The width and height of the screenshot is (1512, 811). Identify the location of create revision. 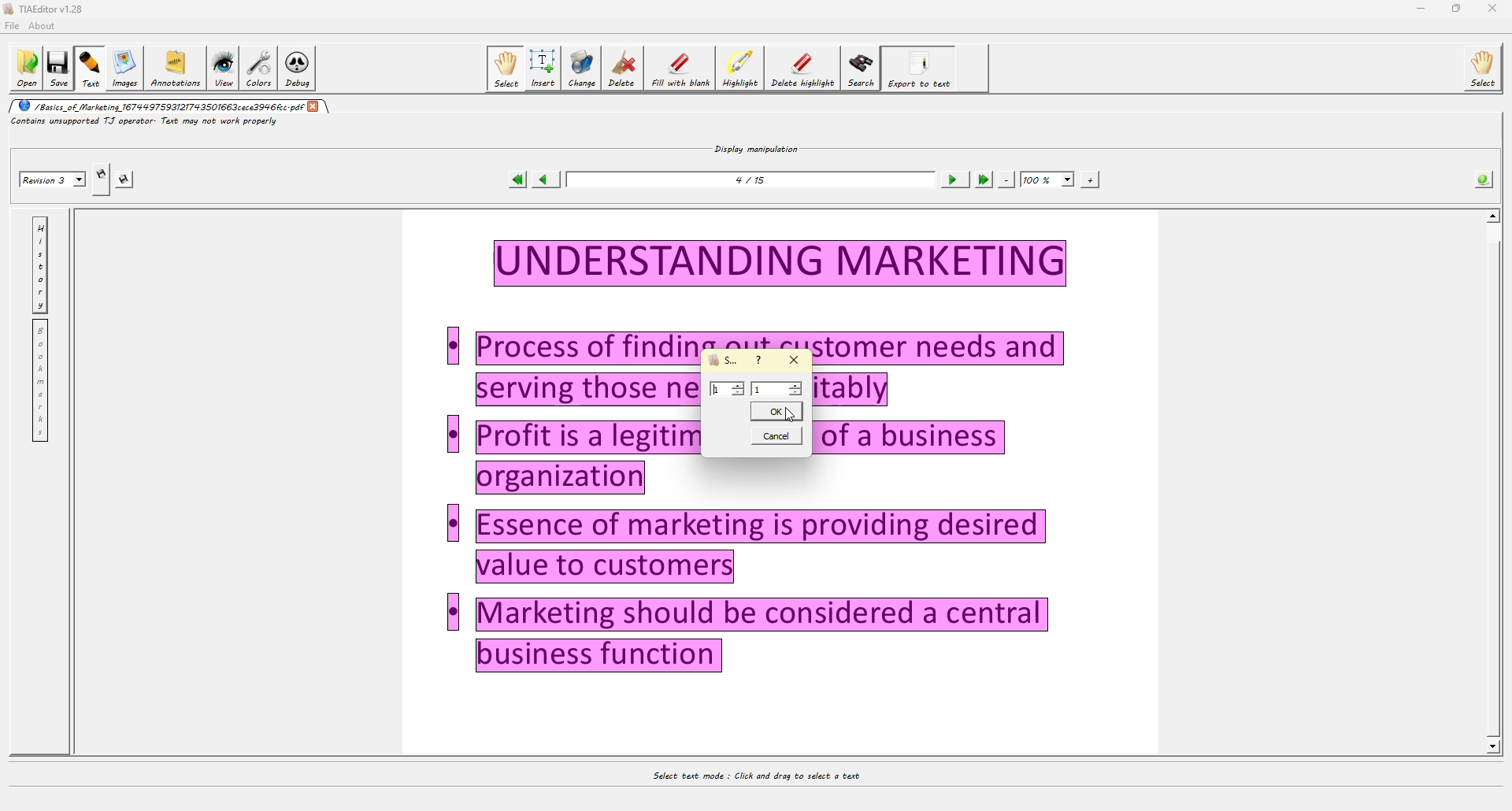
(104, 172).